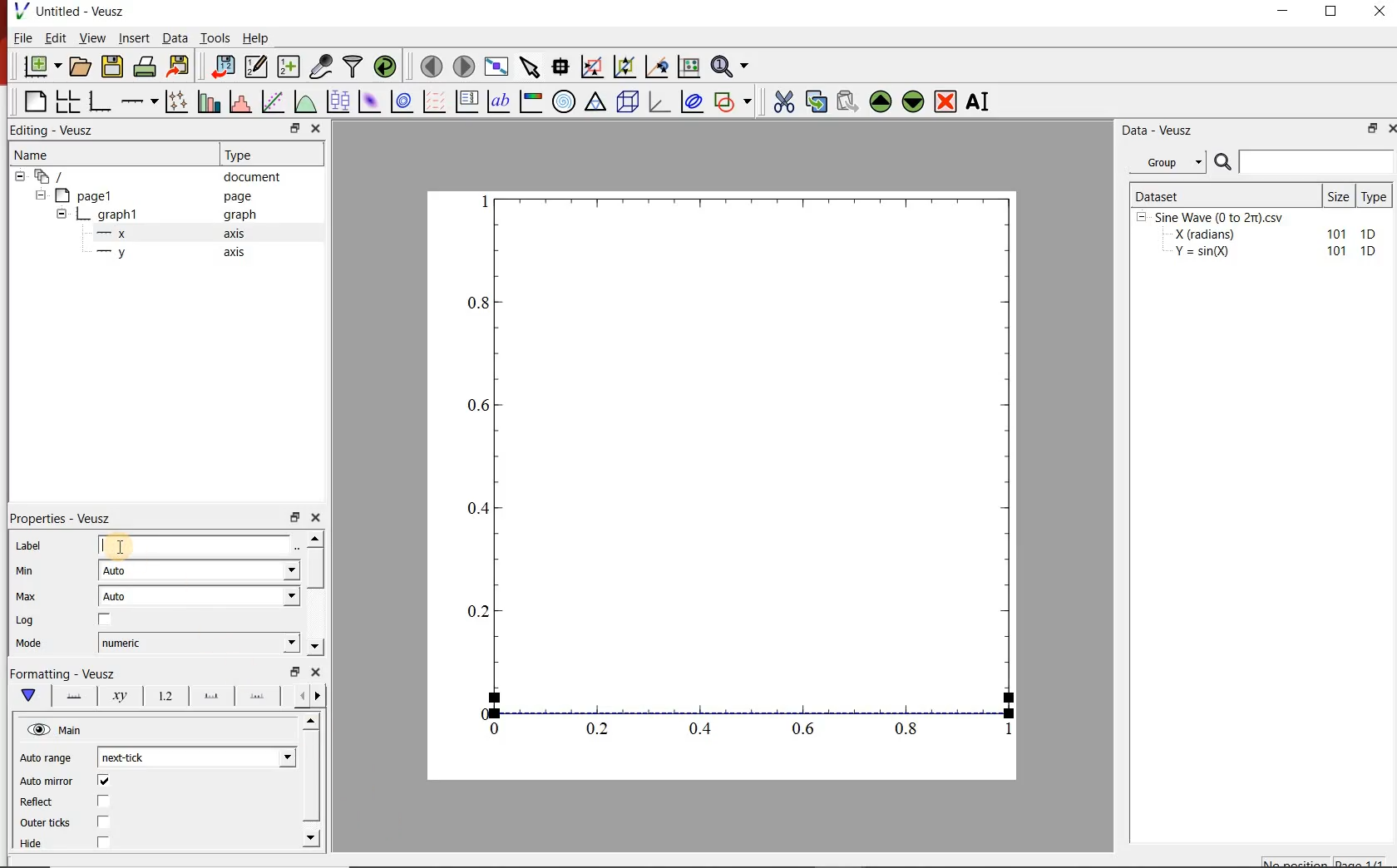 This screenshot has width=1397, height=868. I want to click on hit a function, so click(274, 101).